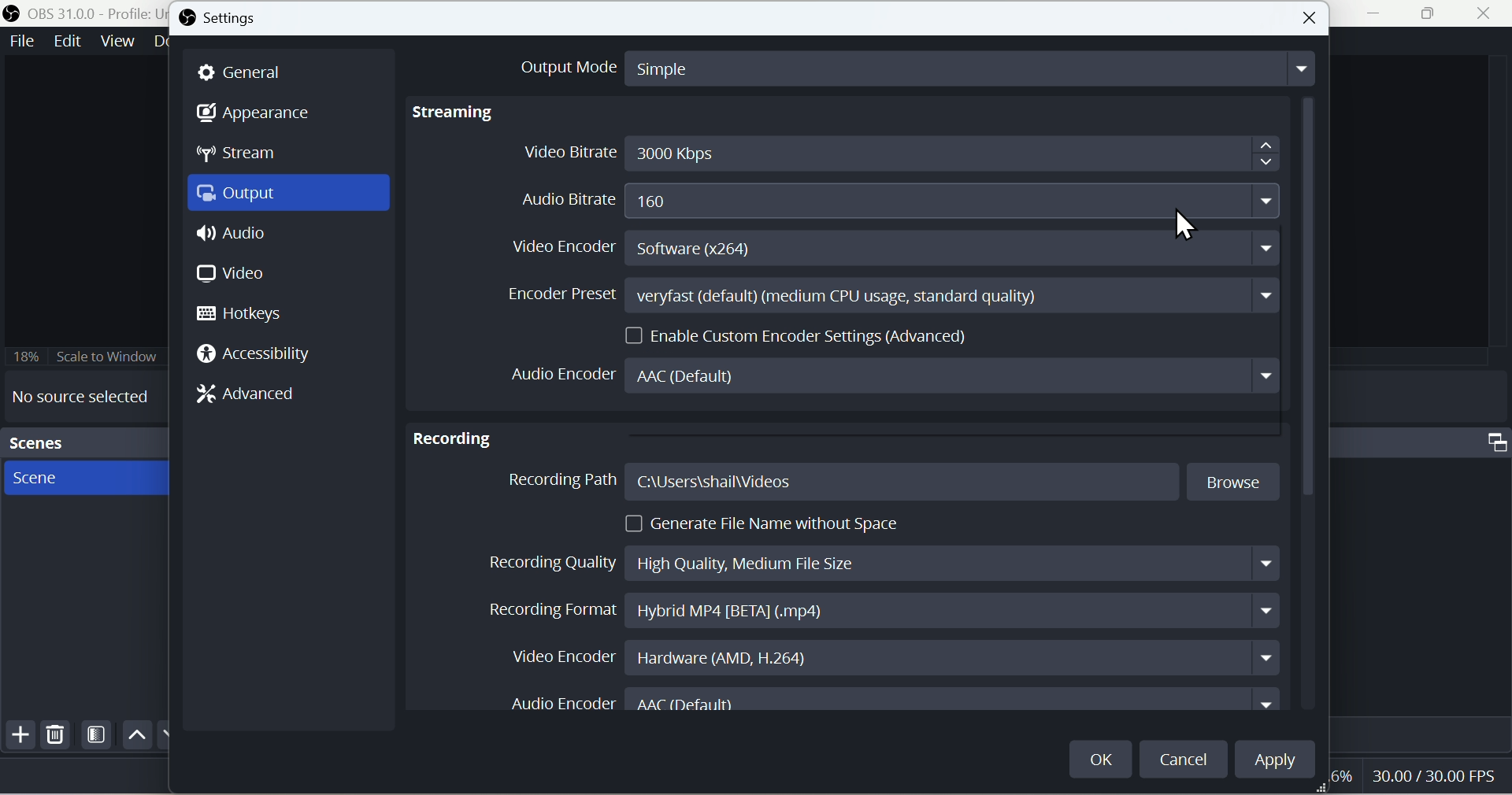 The width and height of the screenshot is (1512, 795). What do you see at coordinates (1188, 221) in the screenshot?
I see `Mouse` at bounding box center [1188, 221].